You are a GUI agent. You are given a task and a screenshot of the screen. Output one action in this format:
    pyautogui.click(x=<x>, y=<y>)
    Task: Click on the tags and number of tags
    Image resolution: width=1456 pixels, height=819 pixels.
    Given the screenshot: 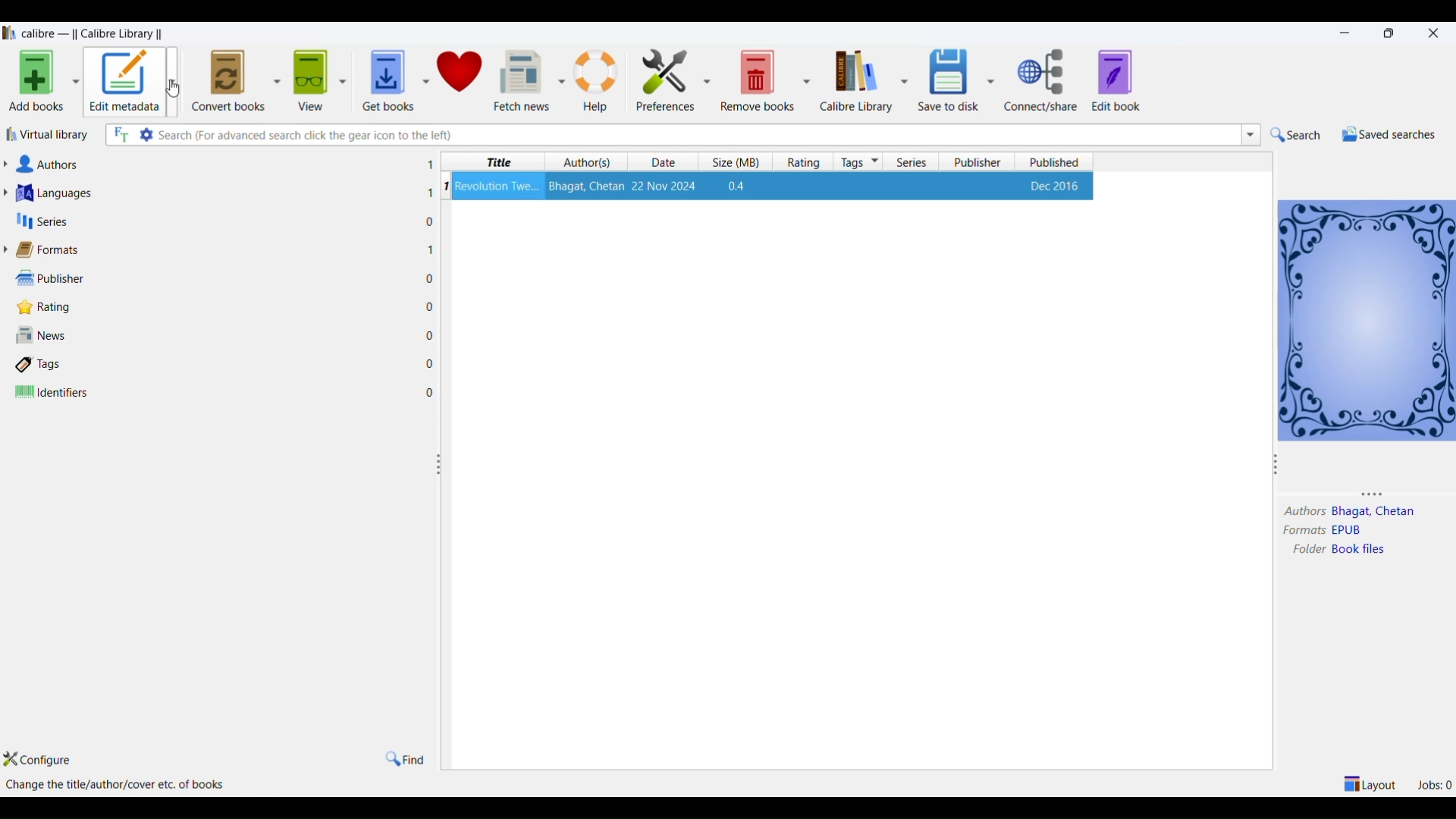 What is the action you would take?
    pyautogui.click(x=45, y=363)
    